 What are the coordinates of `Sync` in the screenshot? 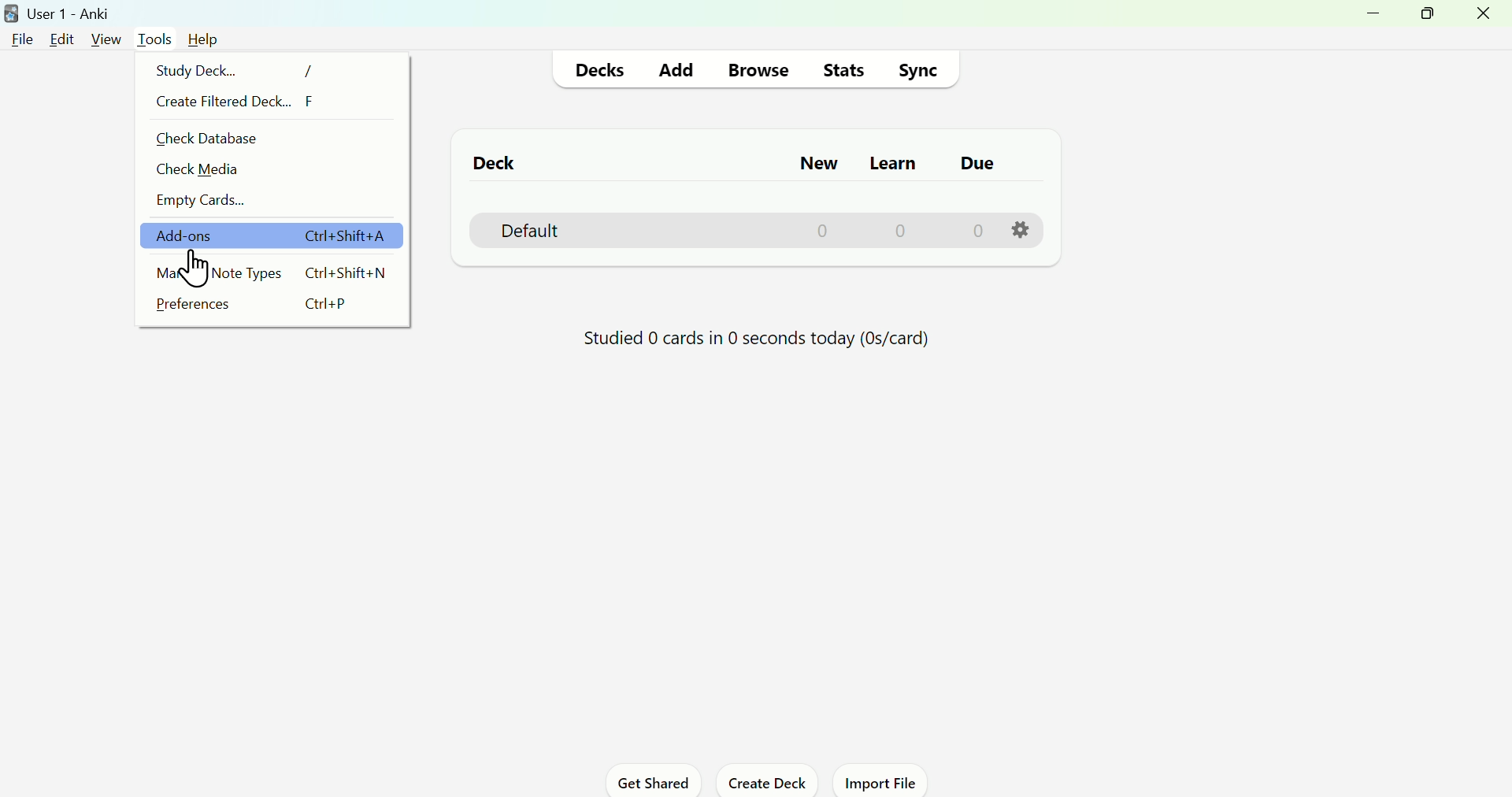 It's located at (920, 70).